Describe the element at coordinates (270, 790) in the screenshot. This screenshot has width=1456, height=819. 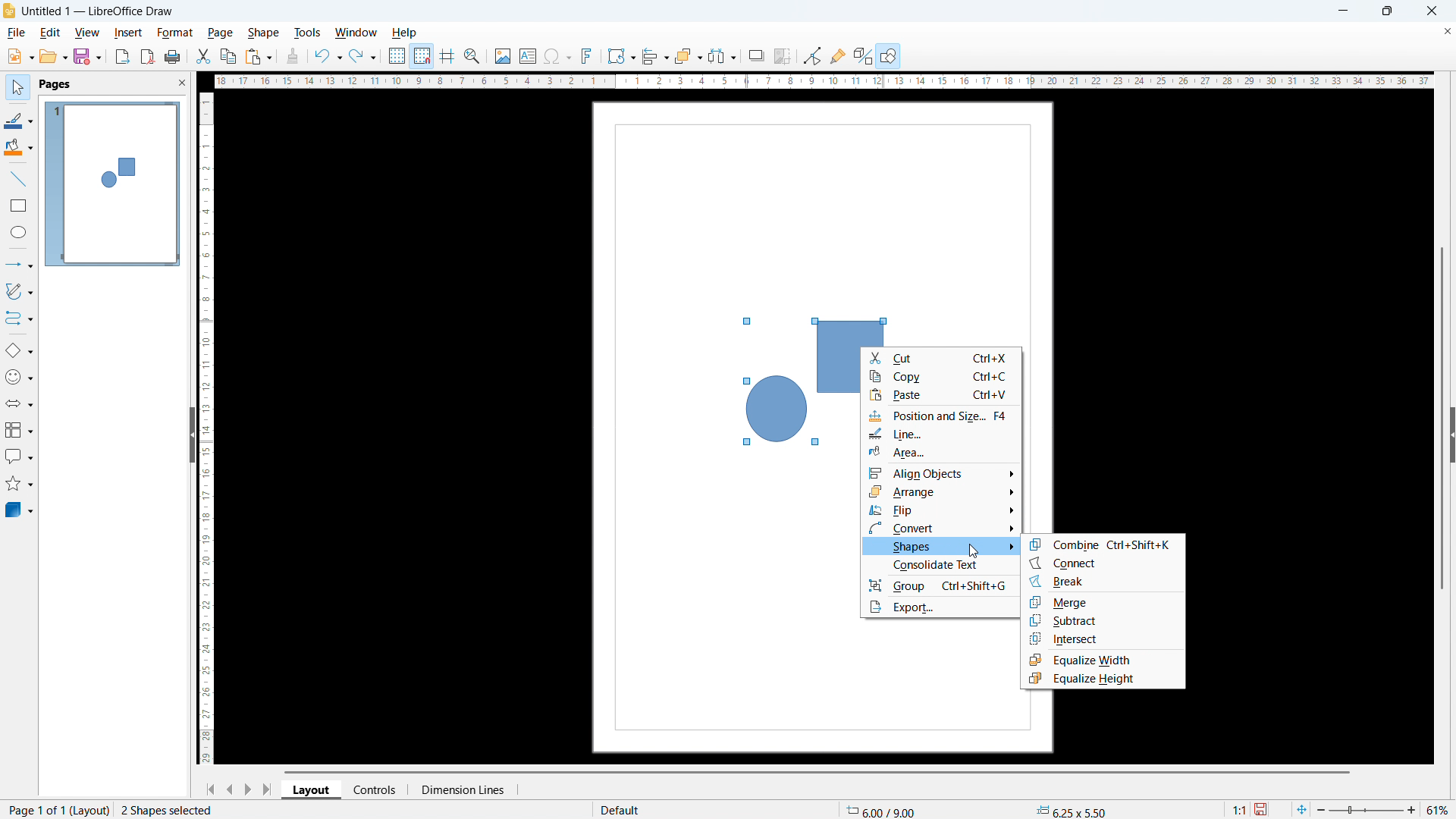
I see `go to last page` at that location.